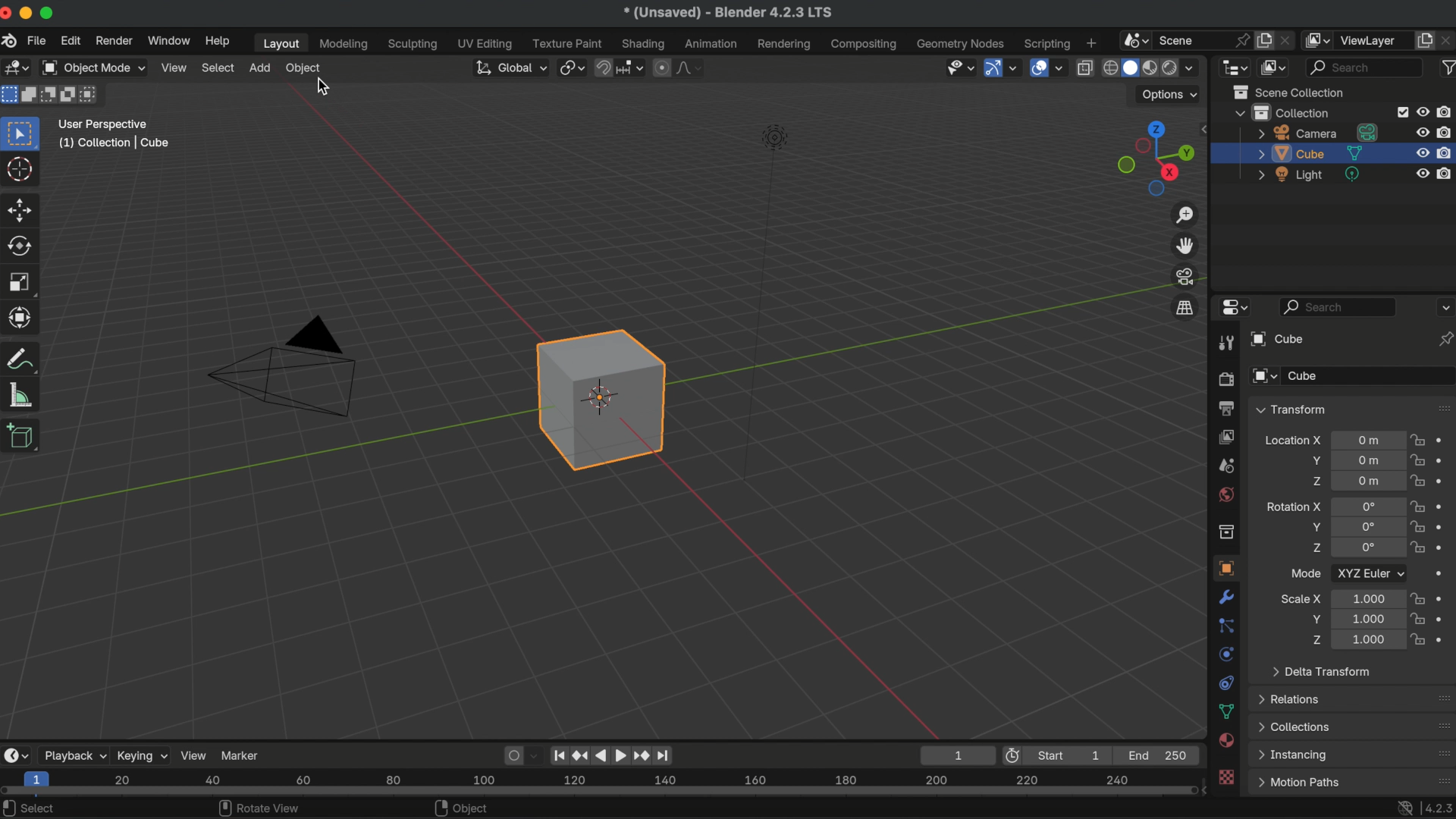  I want to click on disable in render, so click(1445, 131).